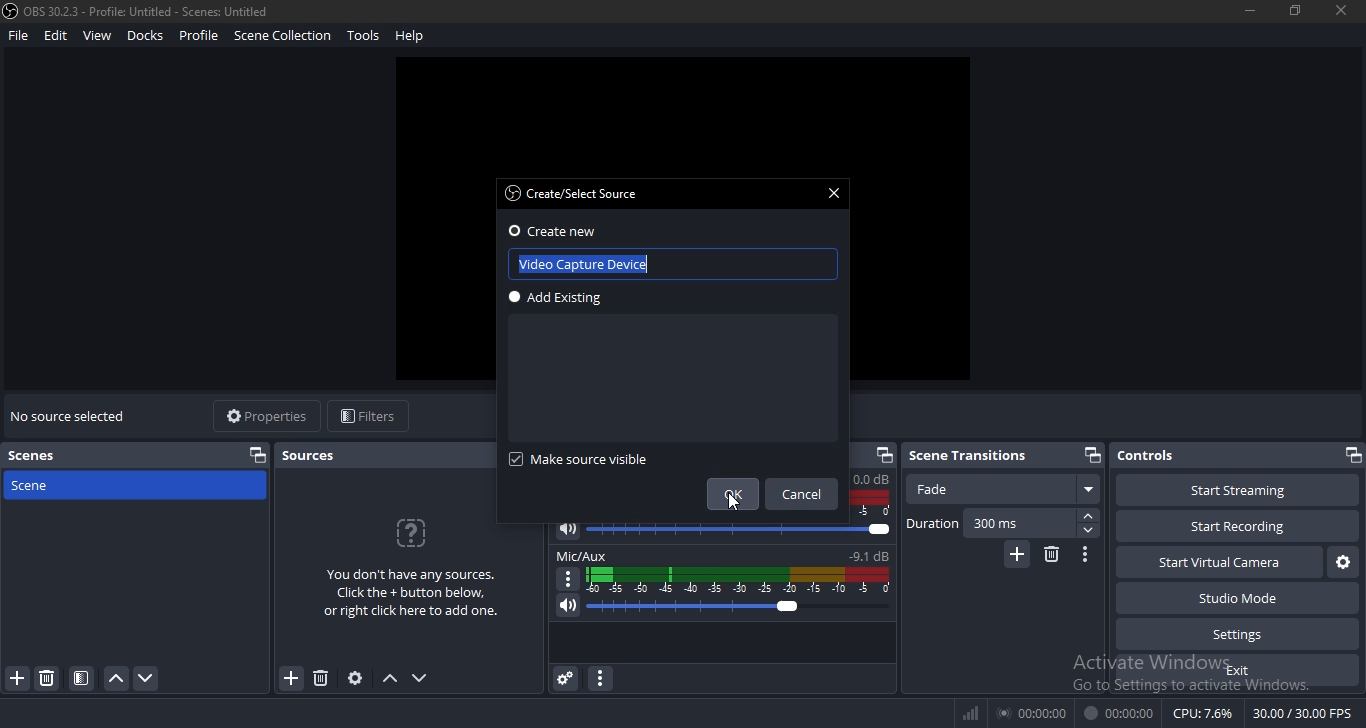 The height and width of the screenshot is (728, 1366). I want to click on cancel, so click(802, 496).